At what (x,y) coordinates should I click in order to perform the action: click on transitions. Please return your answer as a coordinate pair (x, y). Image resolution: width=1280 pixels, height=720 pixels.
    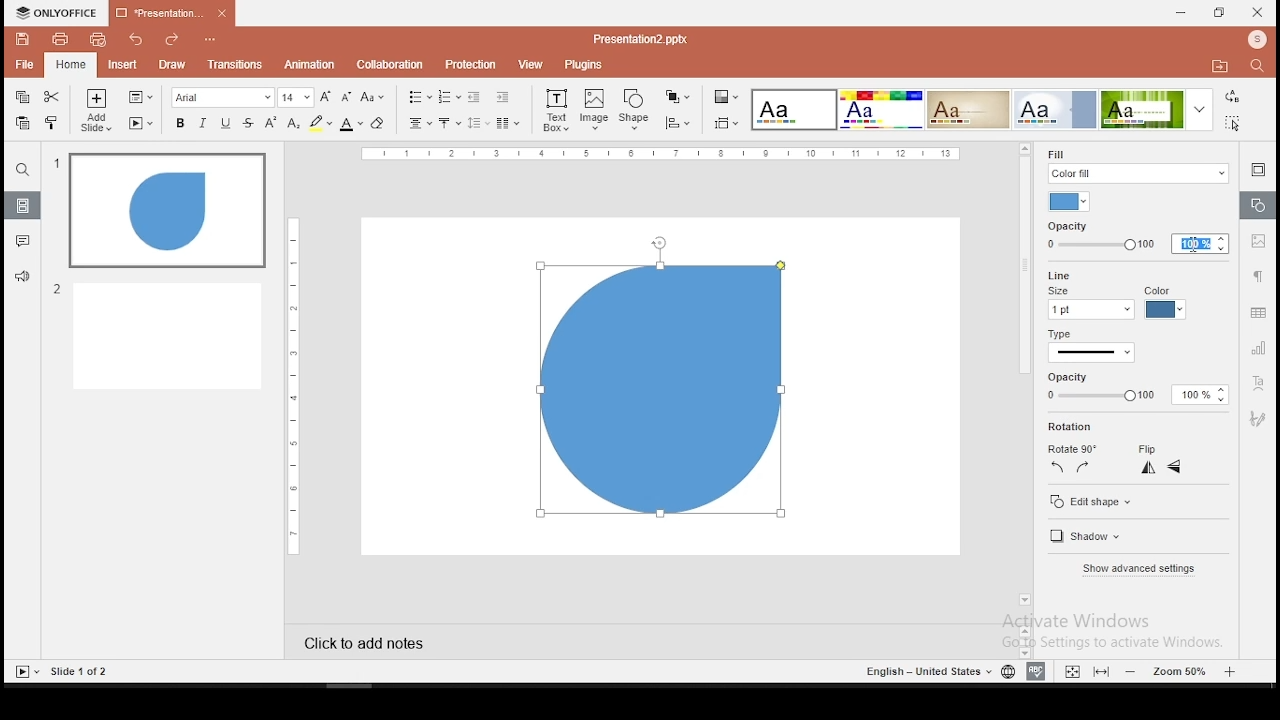
    Looking at the image, I should click on (234, 64).